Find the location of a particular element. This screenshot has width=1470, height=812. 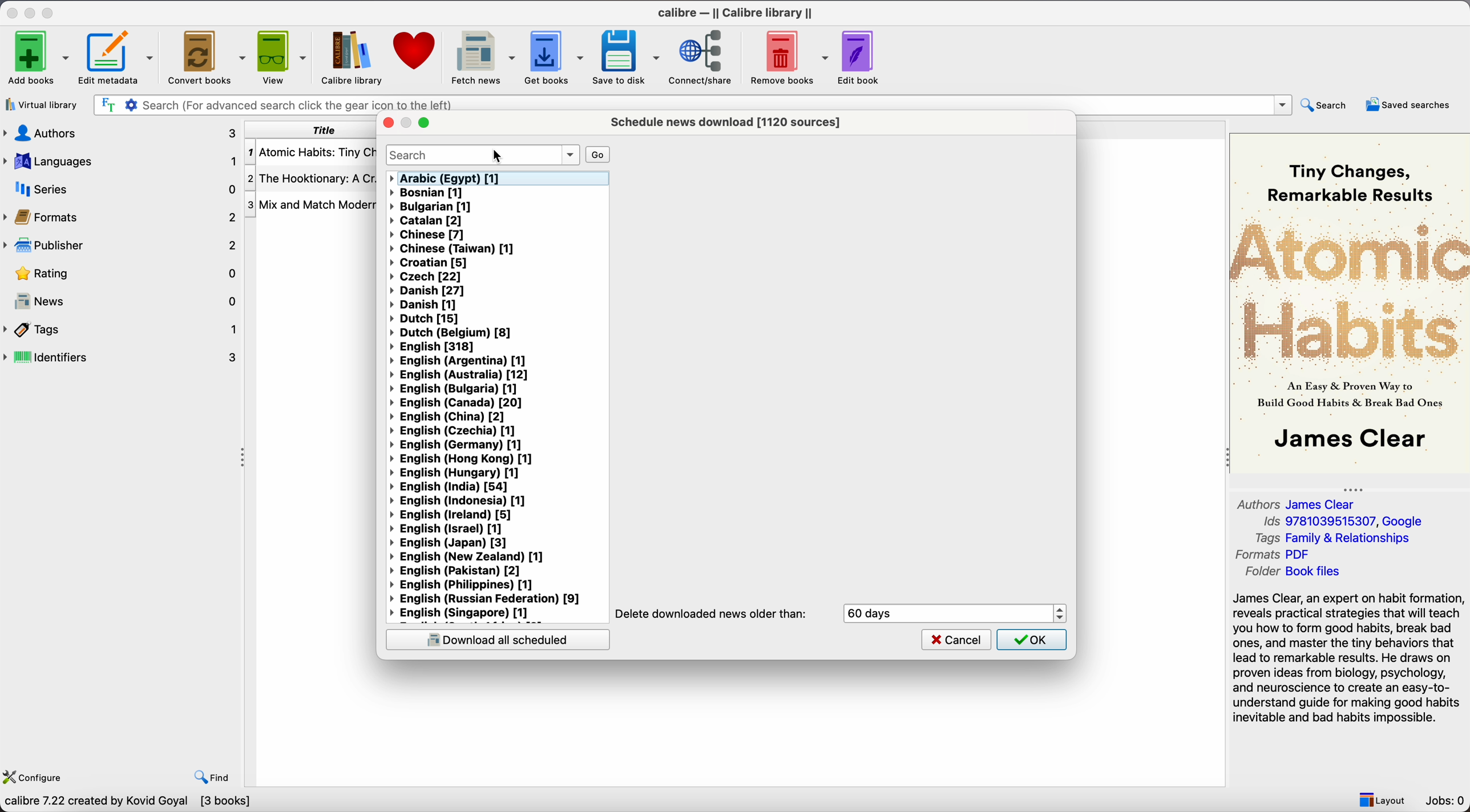

add books is located at coordinates (35, 56).